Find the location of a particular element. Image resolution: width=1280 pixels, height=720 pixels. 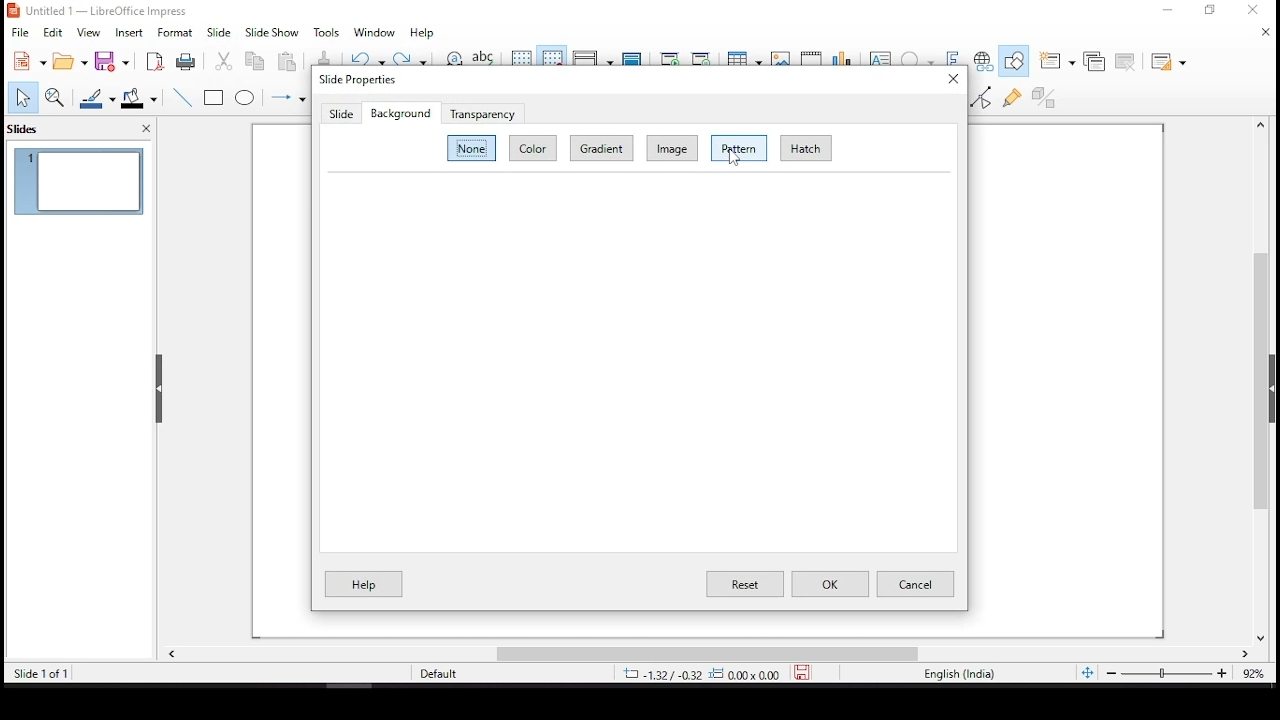

background is located at coordinates (400, 112).